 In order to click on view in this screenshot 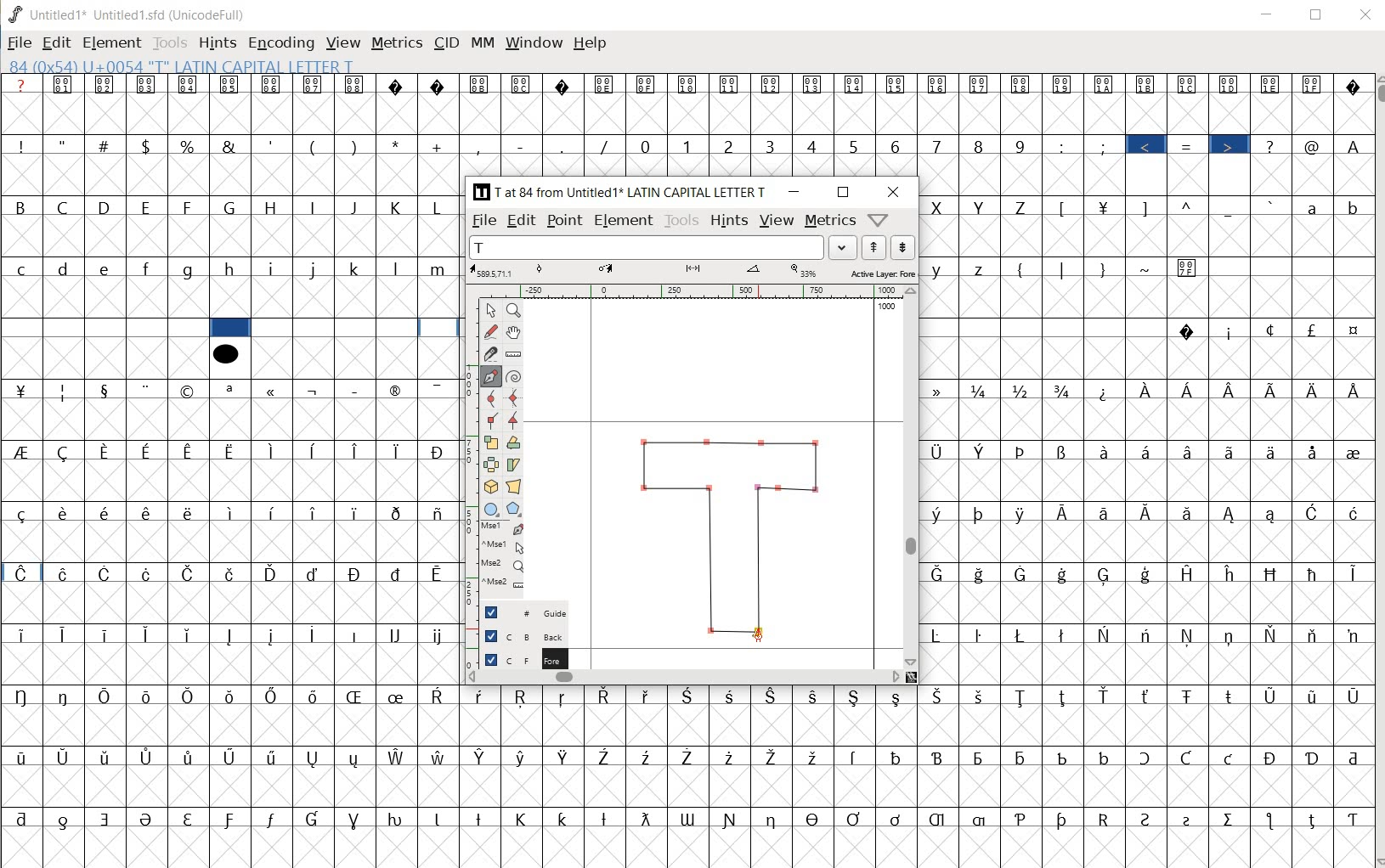, I will do `click(344, 42)`.